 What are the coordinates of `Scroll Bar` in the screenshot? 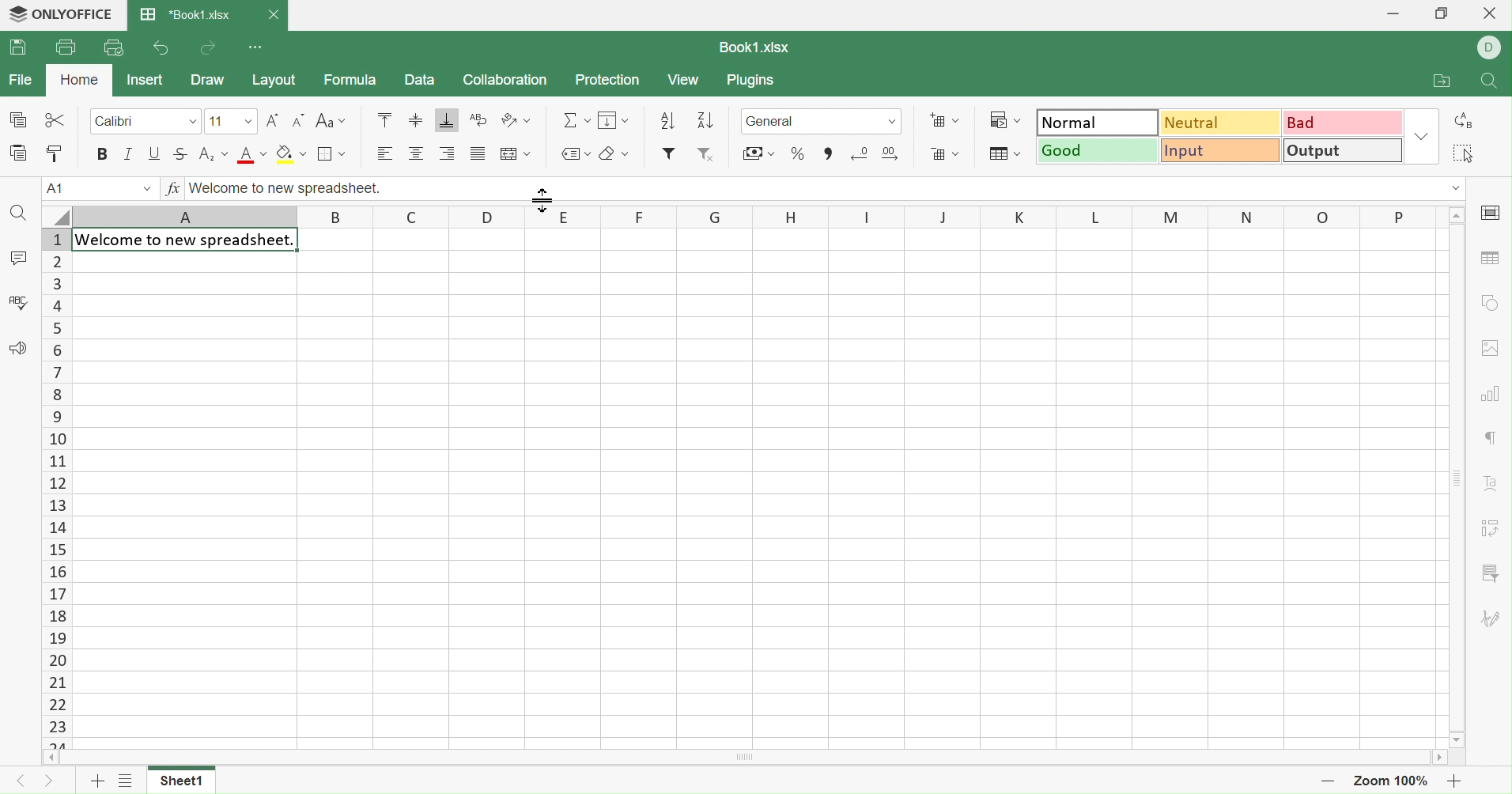 It's located at (1457, 478).